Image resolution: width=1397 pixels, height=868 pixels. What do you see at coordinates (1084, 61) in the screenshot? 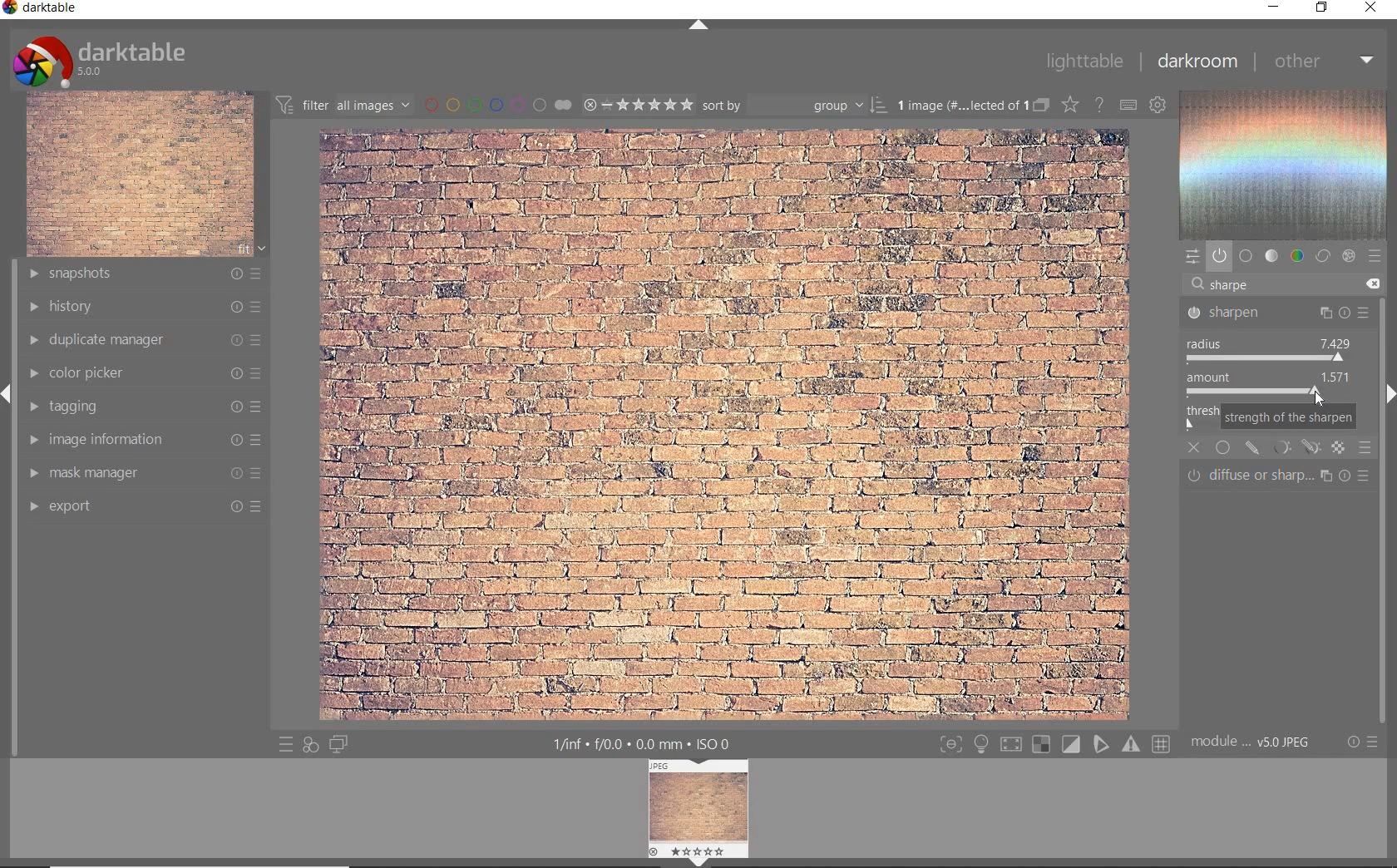
I see `lighttable` at bounding box center [1084, 61].